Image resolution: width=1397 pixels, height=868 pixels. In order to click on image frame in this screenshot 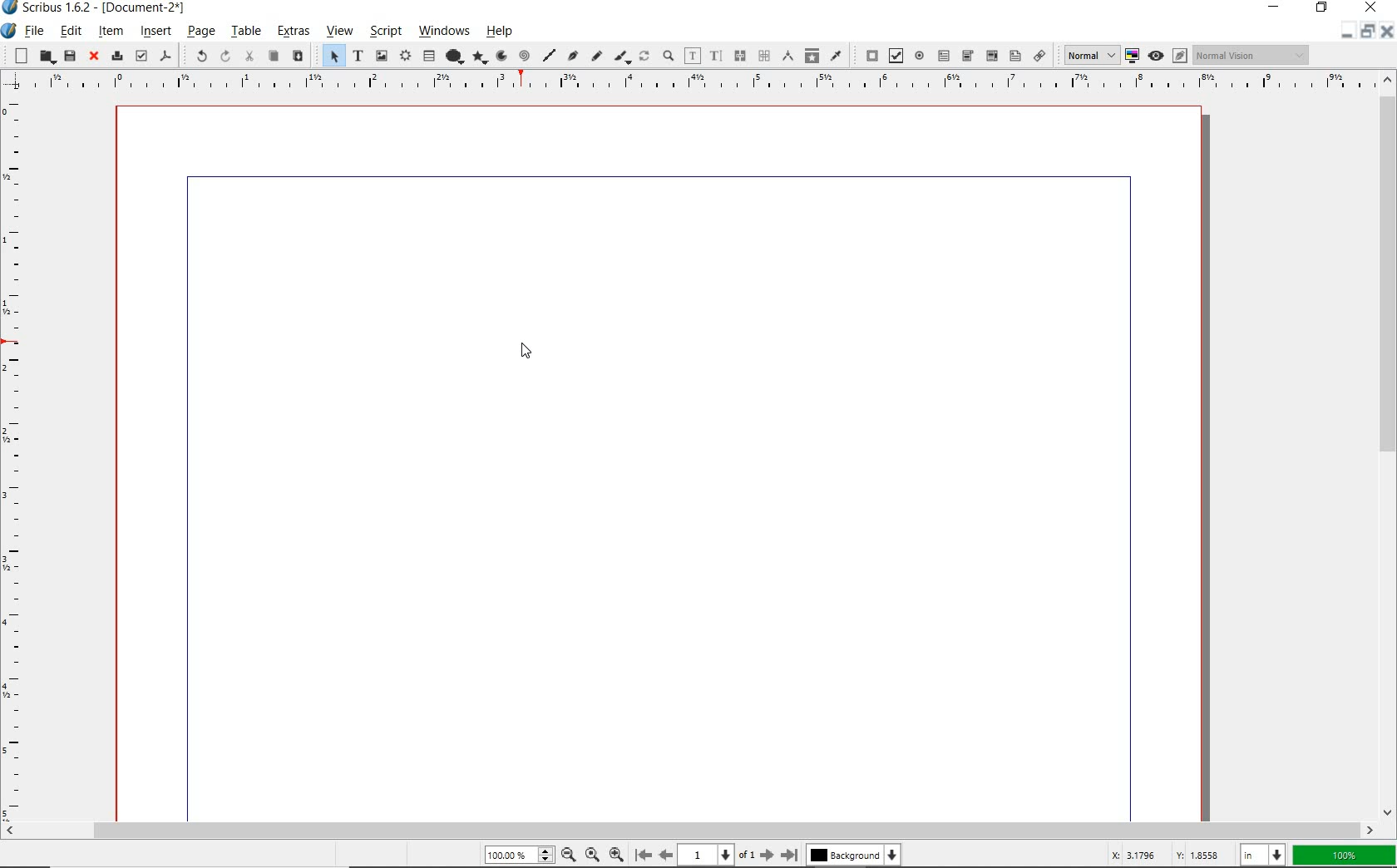, I will do `click(380, 55)`.